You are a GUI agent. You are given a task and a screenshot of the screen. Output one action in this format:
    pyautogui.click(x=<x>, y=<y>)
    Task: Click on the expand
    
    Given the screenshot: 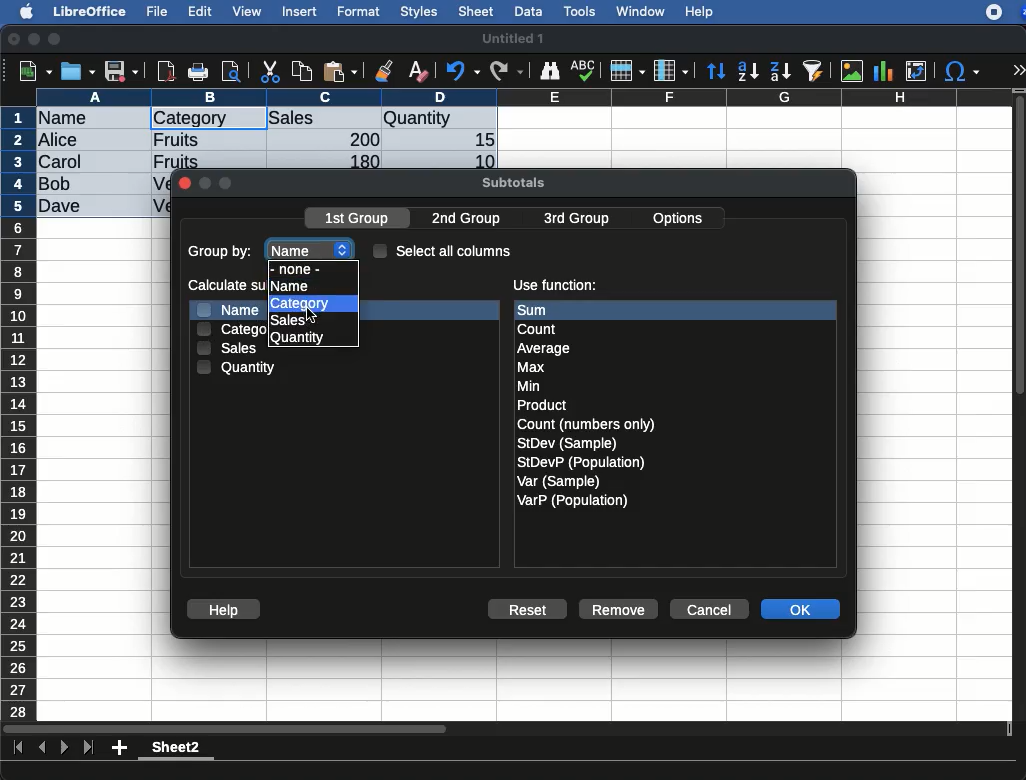 What is the action you would take?
    pyautogui.click(x=1018, y=70)
    